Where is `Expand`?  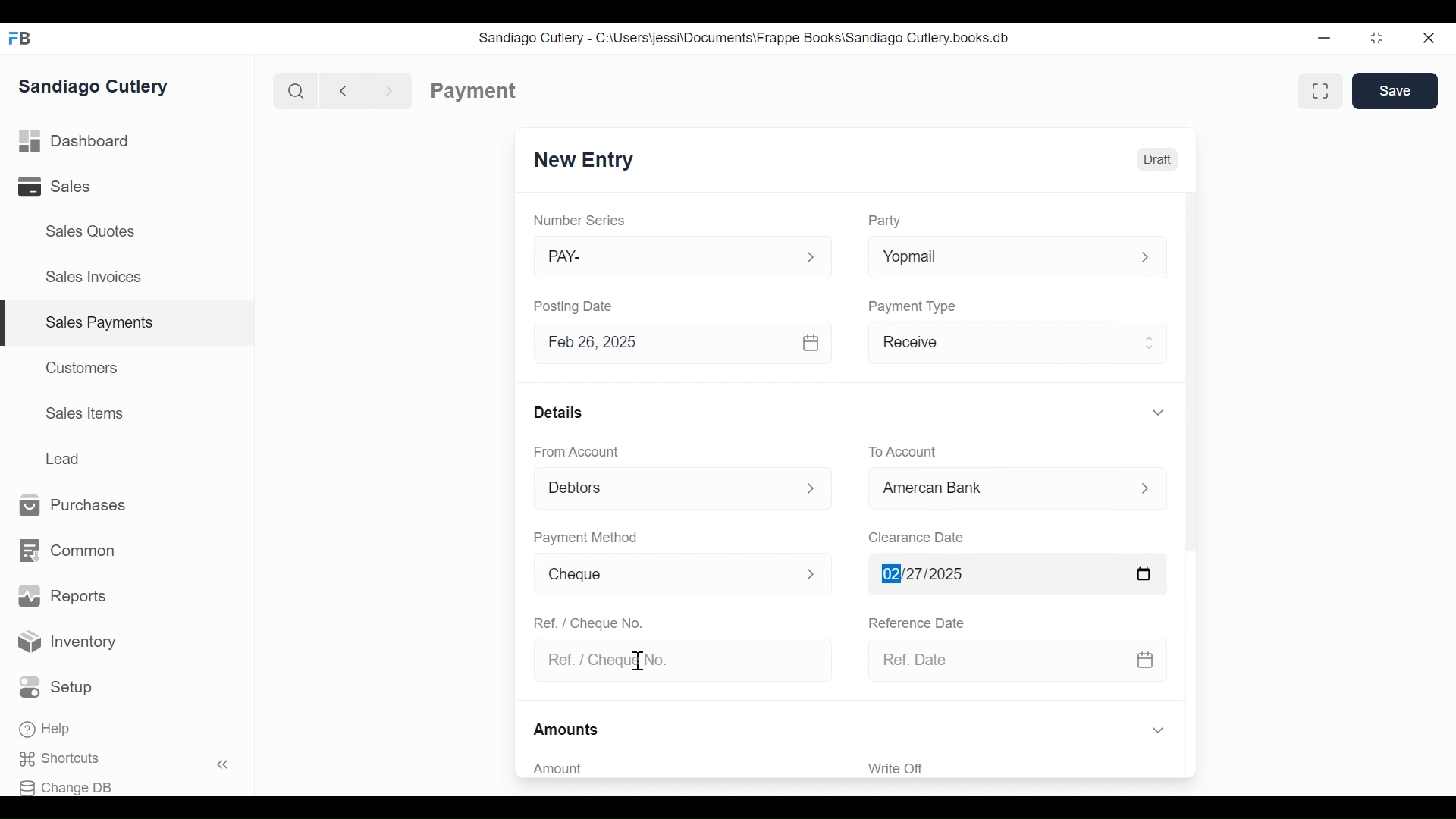
Expand is located at coordinates (1157, 731).